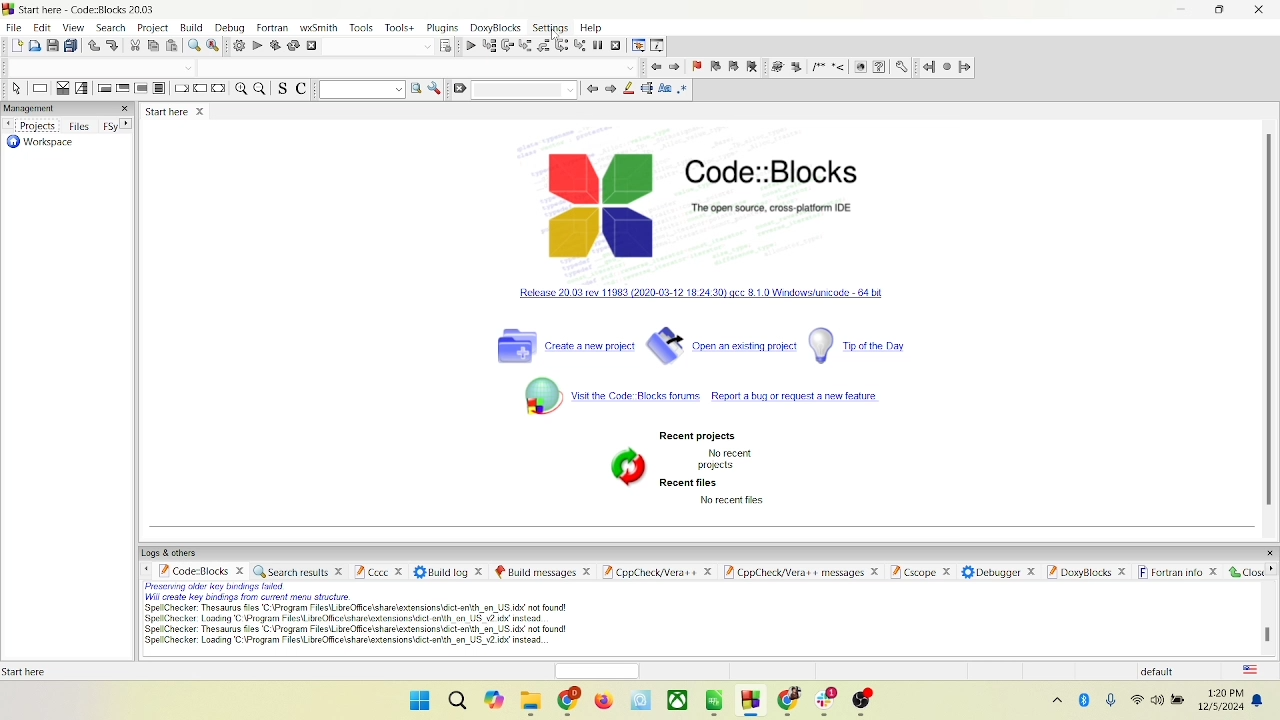  Describe the element at coordinates (15, 45) in the screenshot. I see `new` at that location.